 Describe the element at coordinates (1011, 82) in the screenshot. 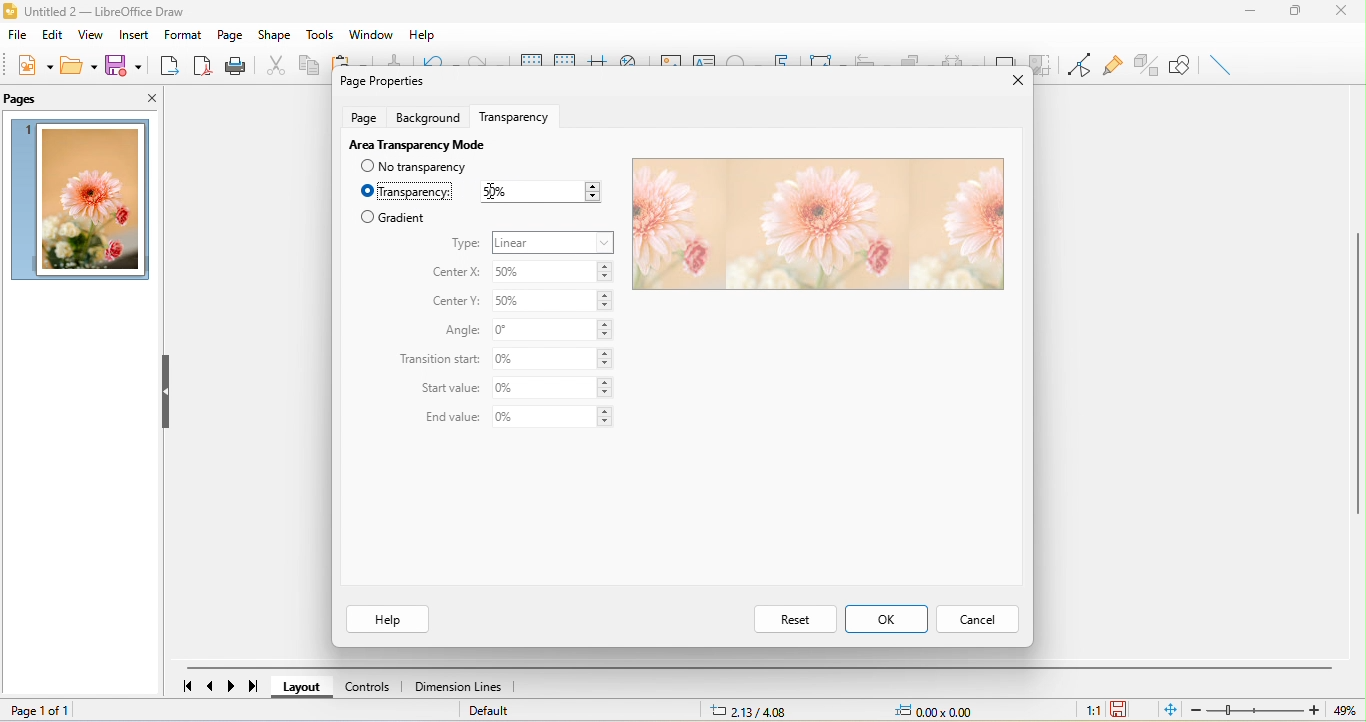

I see `close` at that location.